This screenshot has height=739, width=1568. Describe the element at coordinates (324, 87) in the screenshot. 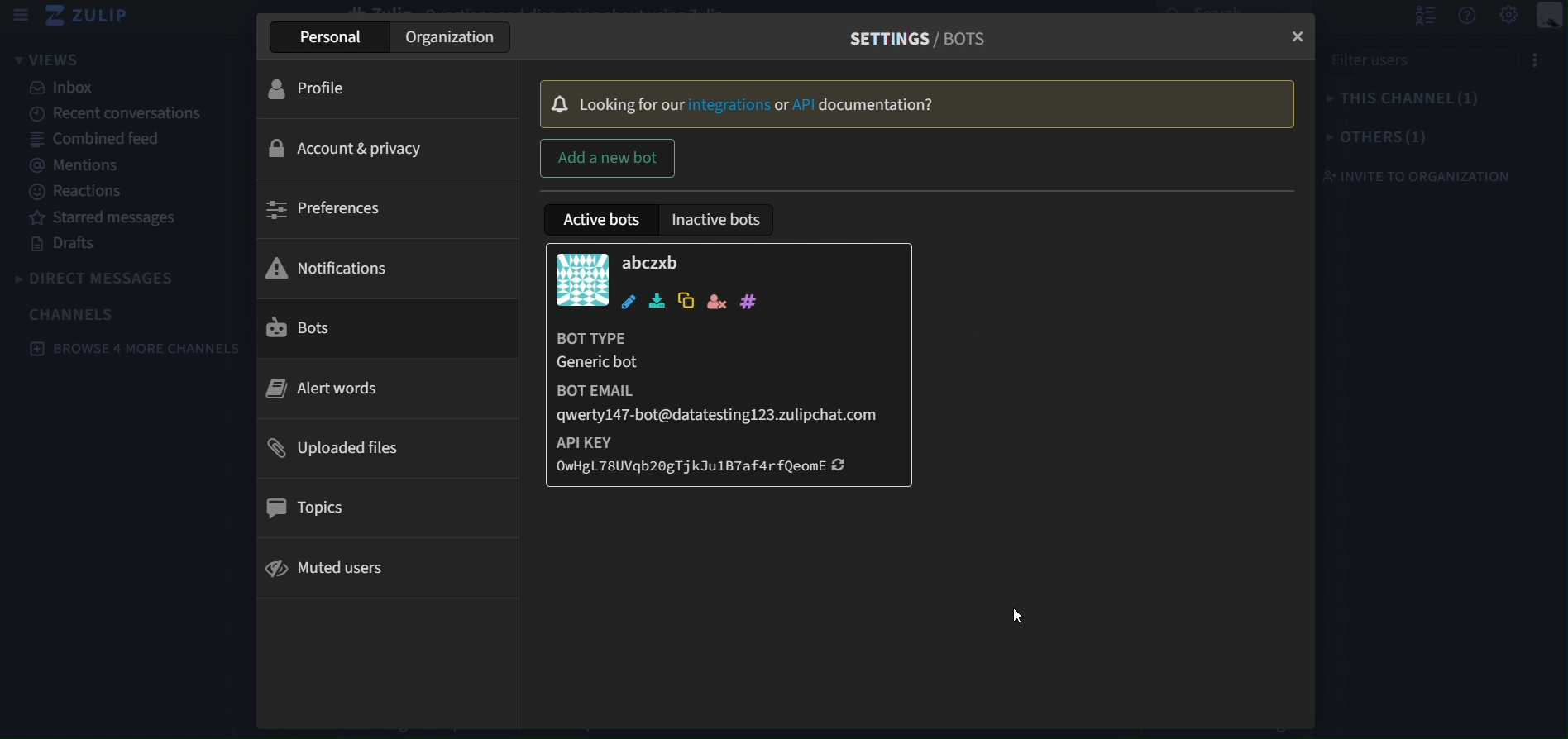

I see `profile` at that location.